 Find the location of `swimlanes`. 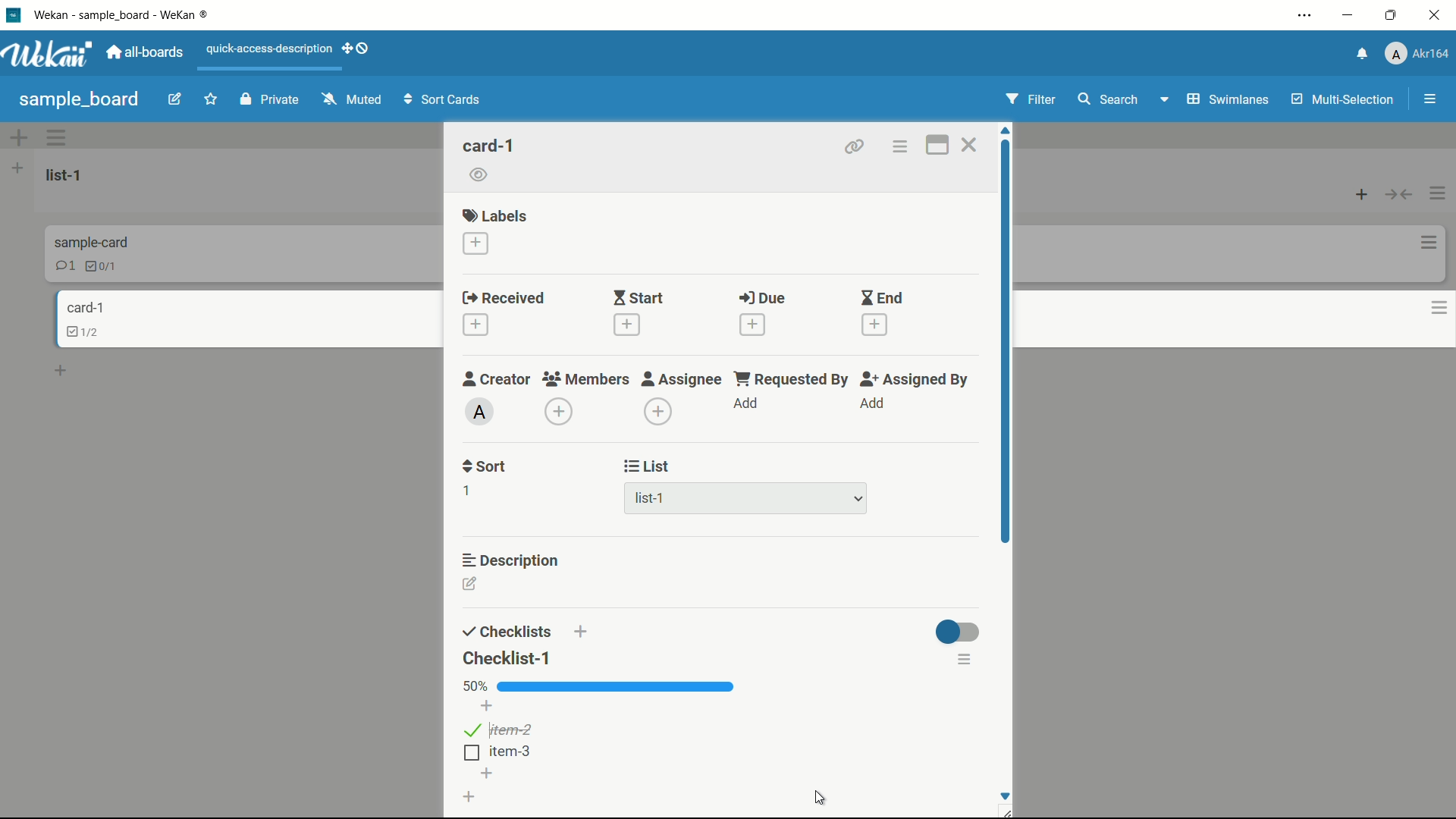

swimlanes is located at coordinates (1216, 100).